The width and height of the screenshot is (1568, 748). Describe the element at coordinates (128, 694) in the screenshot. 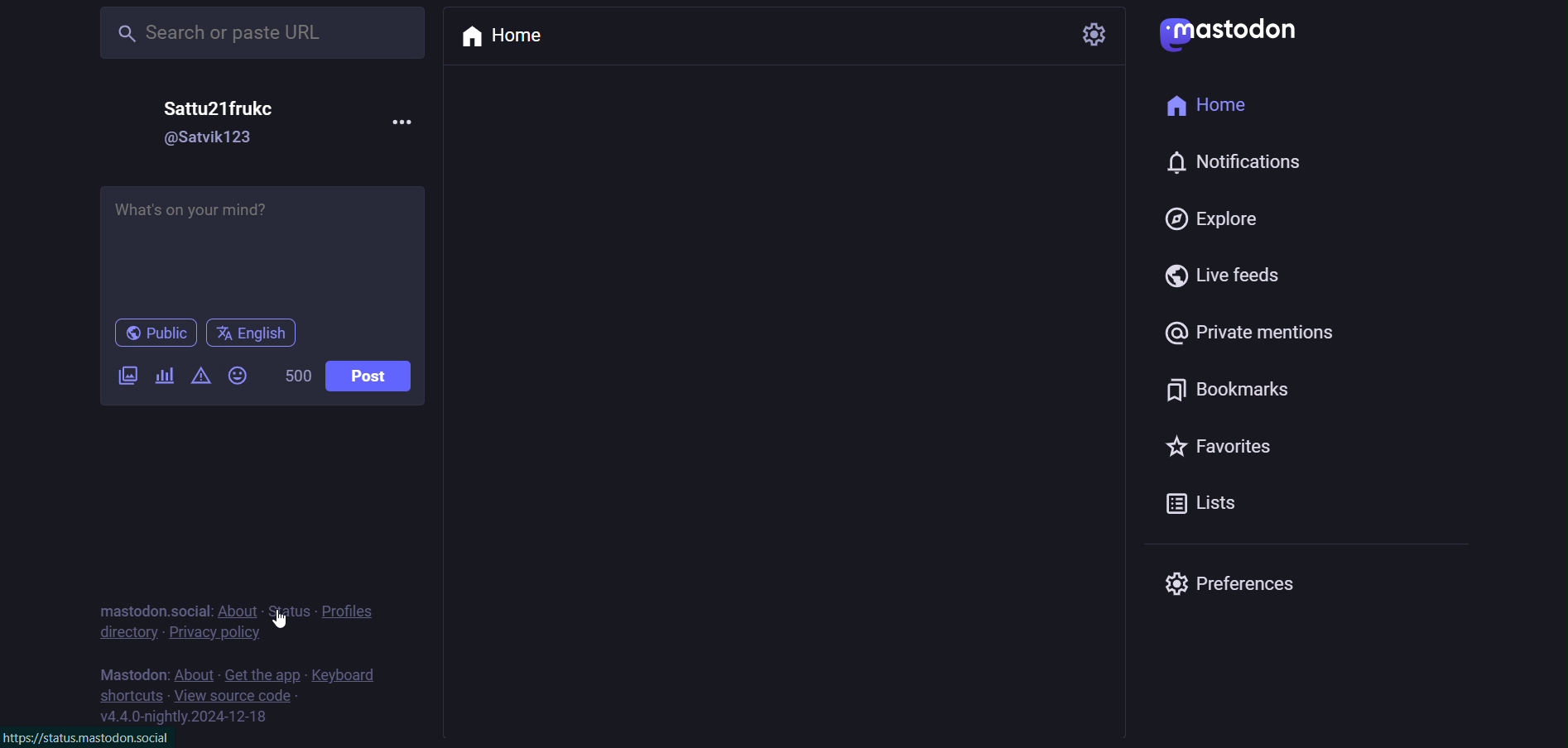

I see `shortcut` at that location.